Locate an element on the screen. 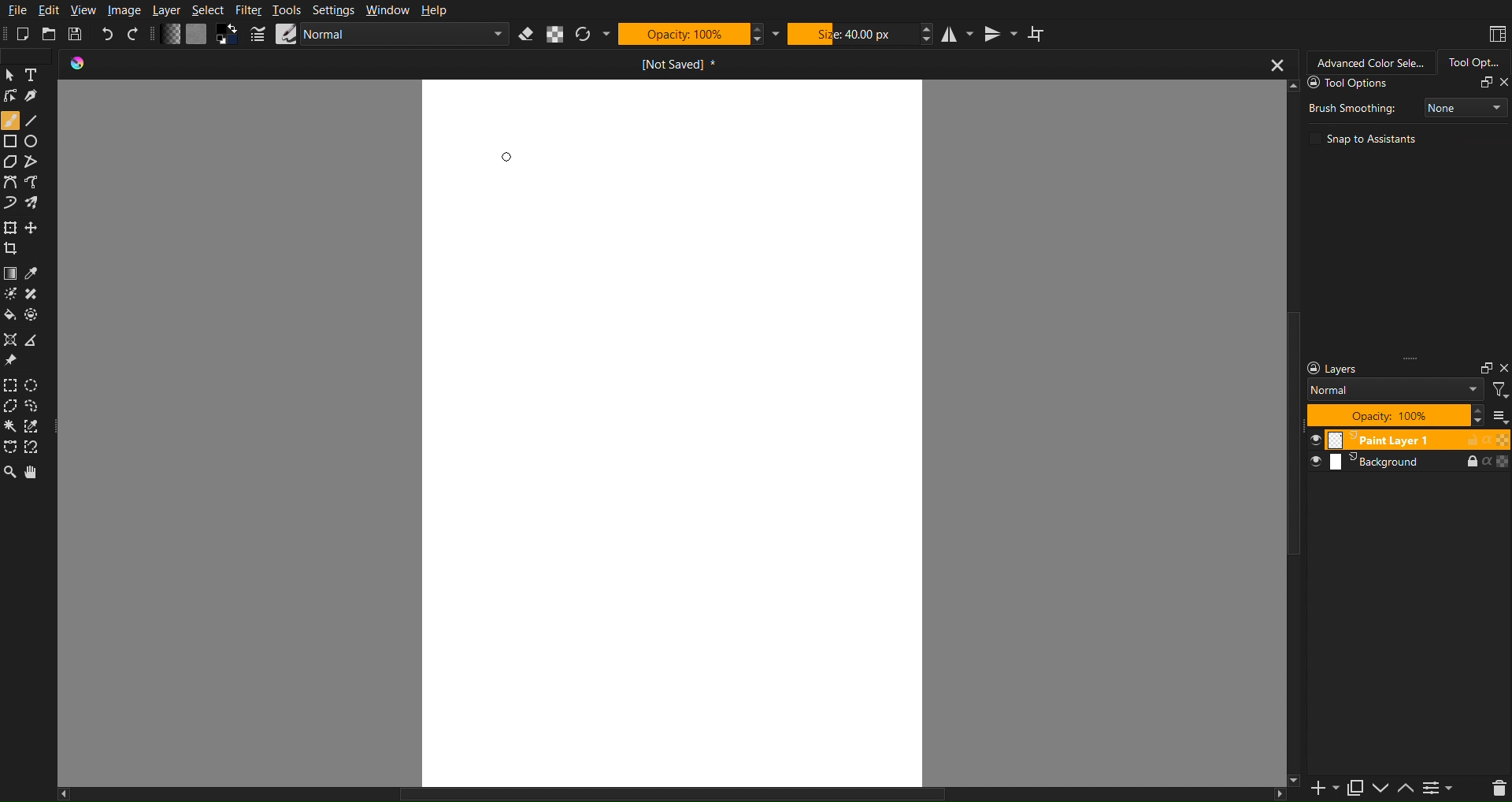 The image size is (1512, 802). Wrap Around is located at coordinates (1037, 34).